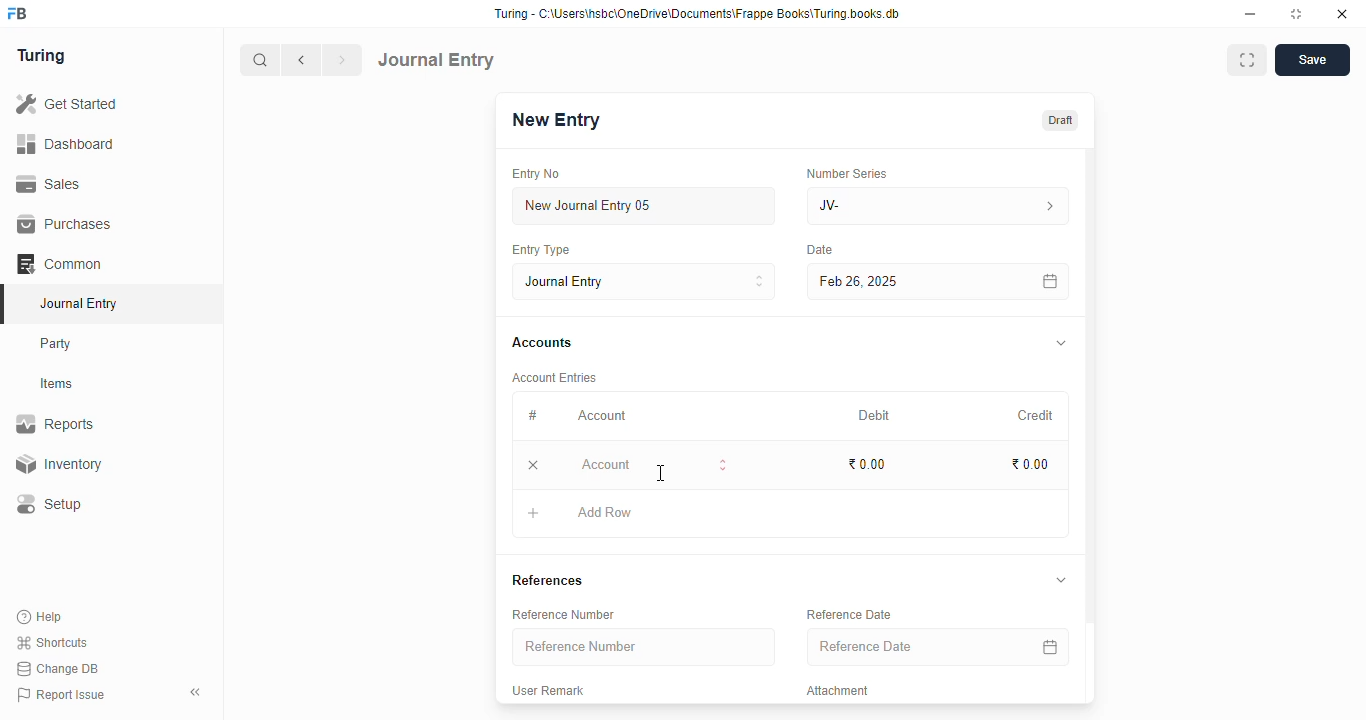 Image resolution: width=1366 pixels, height=720 pixels. What do you see at coordinates (197, 692) in the screenshot?
I see `toggle sidebar` at bounding box center [197, 692].